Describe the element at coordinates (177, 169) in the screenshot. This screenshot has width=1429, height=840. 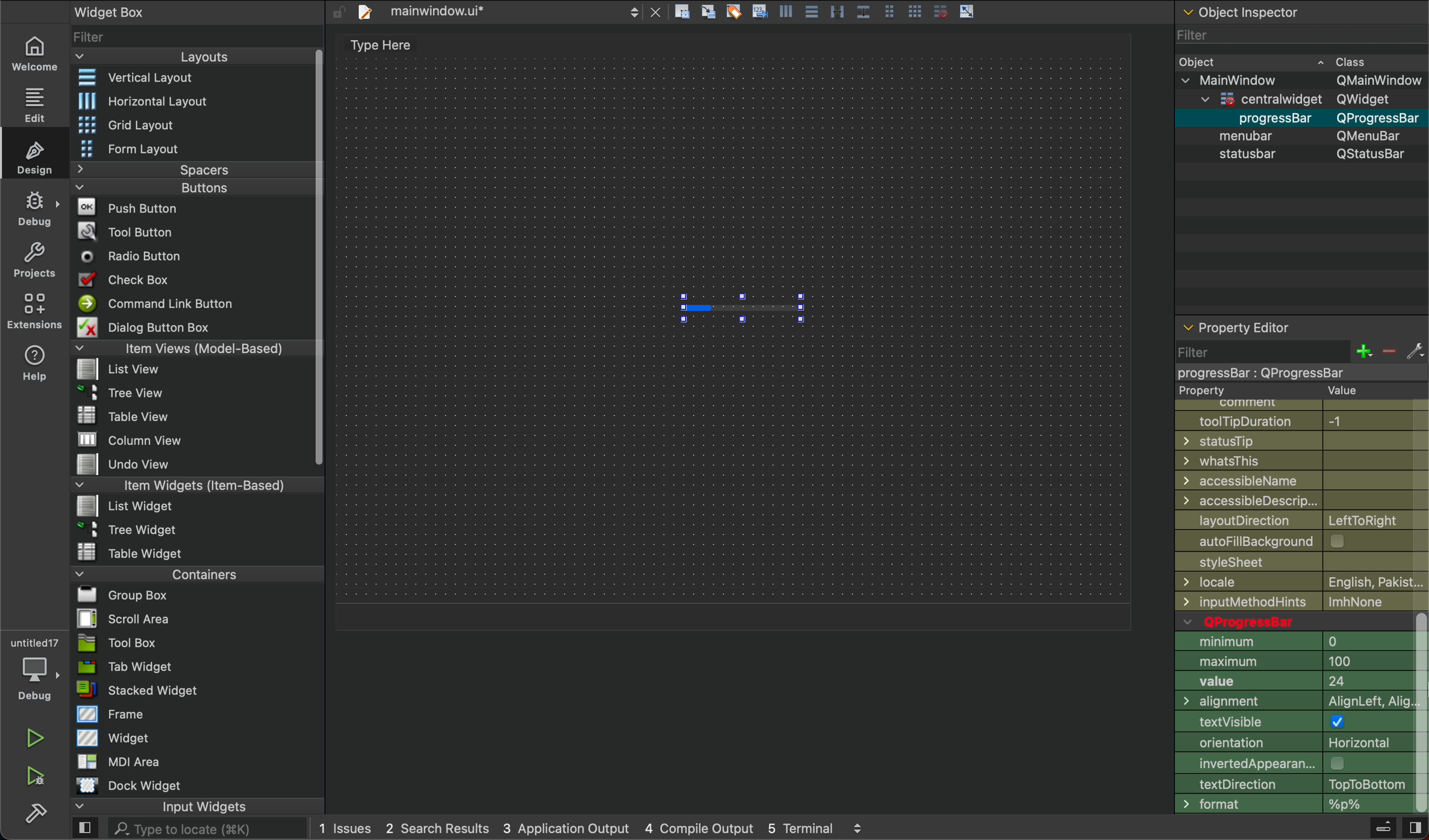
I see `Spacer` at that location.